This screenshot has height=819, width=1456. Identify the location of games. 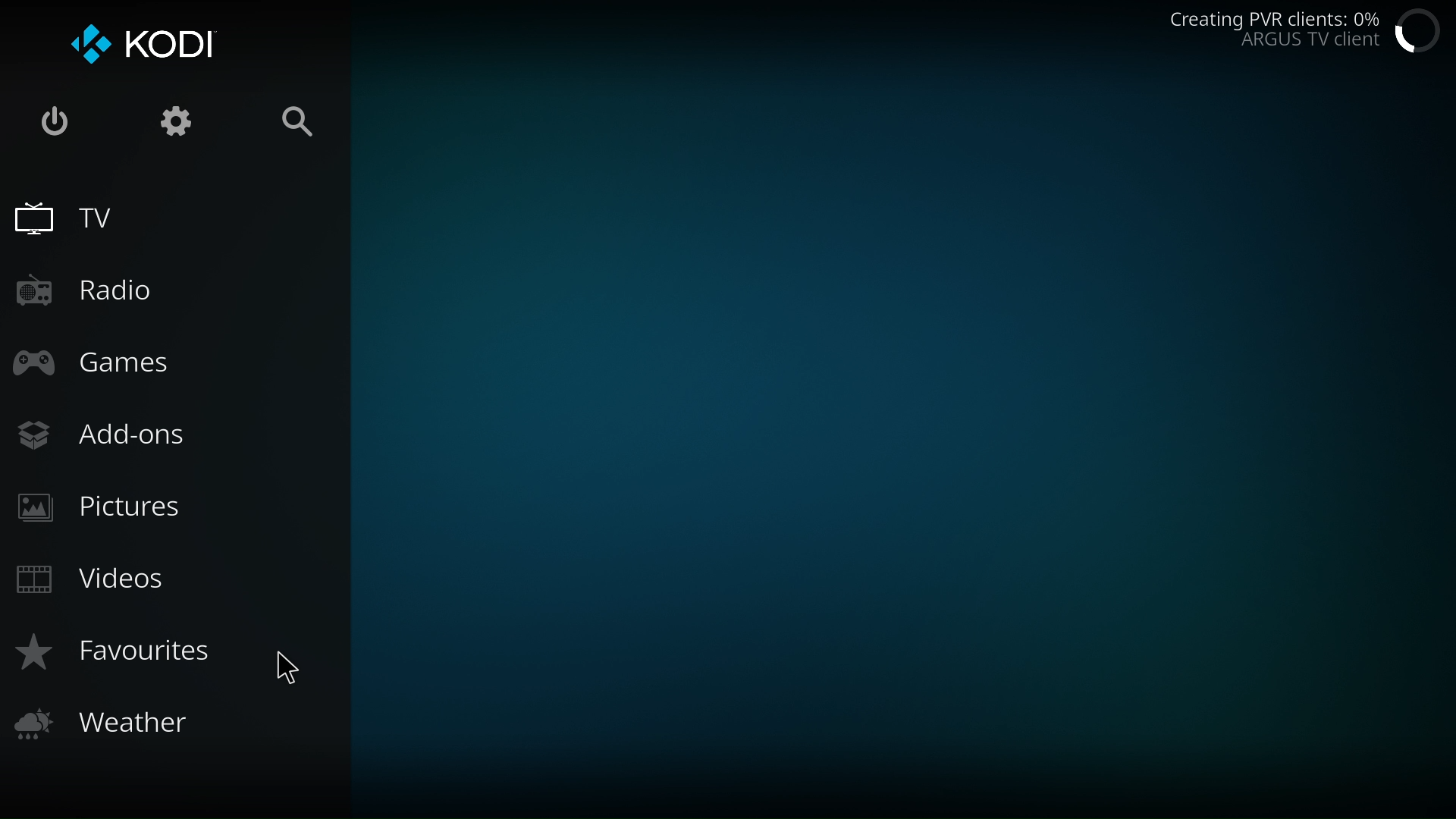
(99, 362).